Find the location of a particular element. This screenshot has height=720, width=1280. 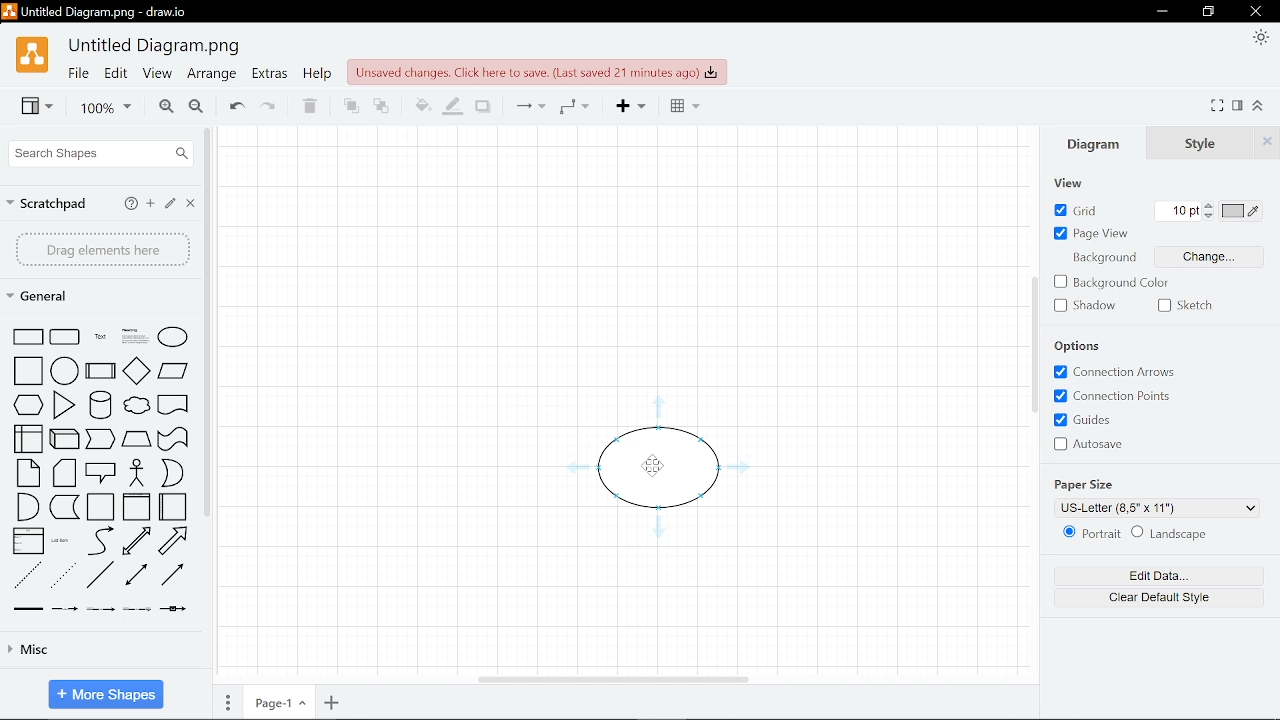

Zoom out is located at coordinates (195, 106).